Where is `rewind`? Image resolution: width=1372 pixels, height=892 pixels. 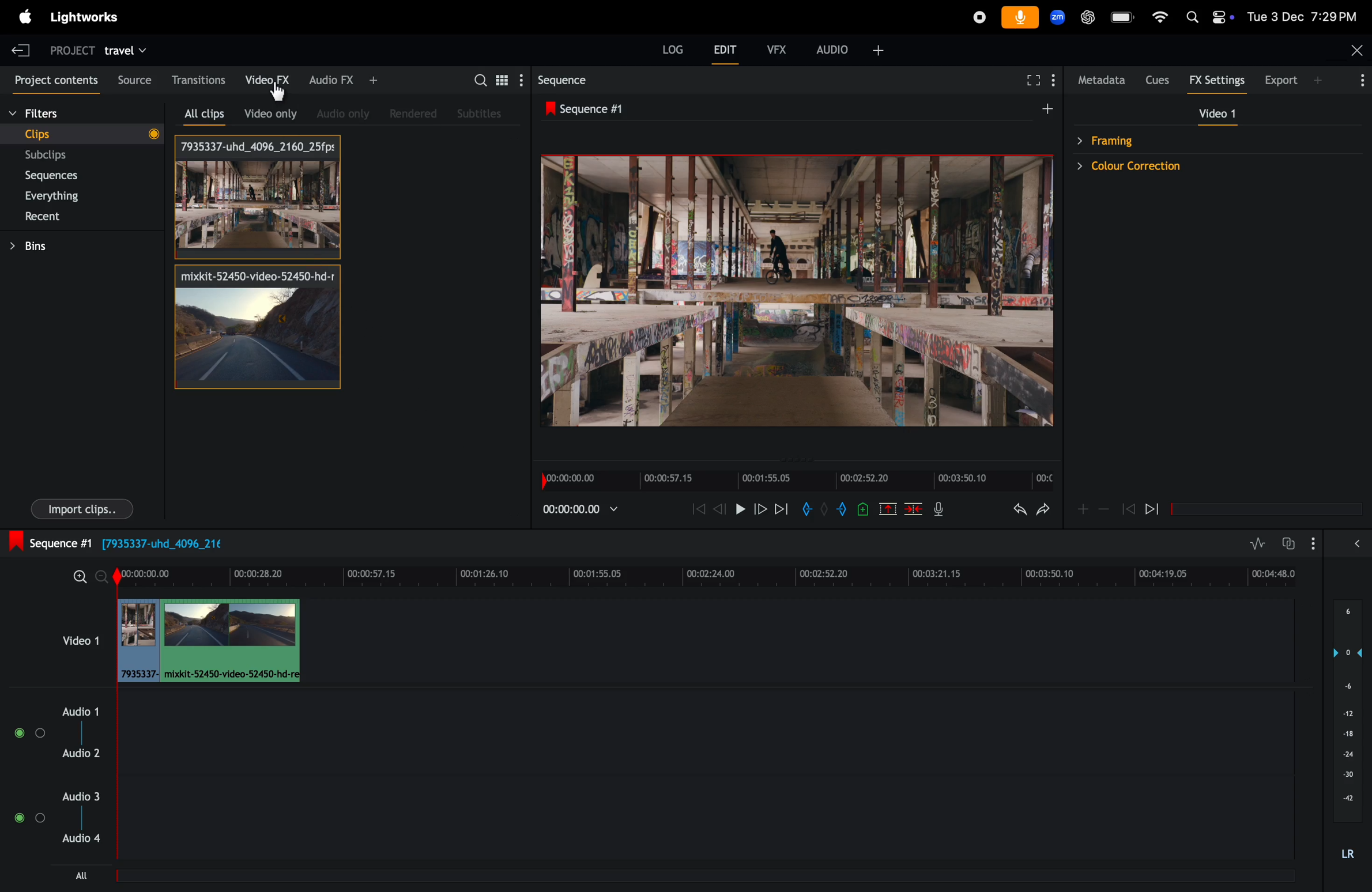 rewind is located at coordinates (696, 511).